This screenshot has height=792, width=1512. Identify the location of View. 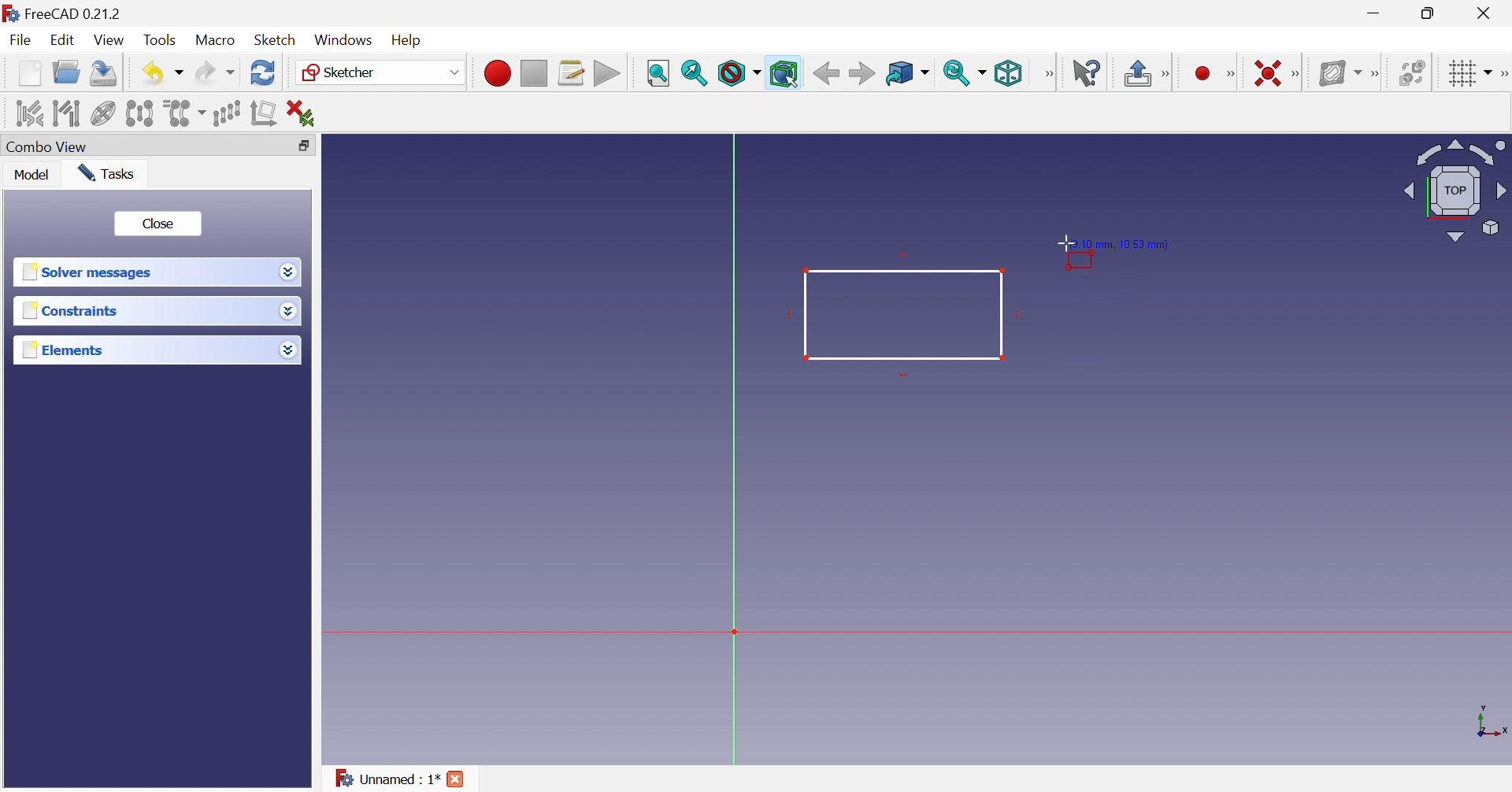
(1050, 73).